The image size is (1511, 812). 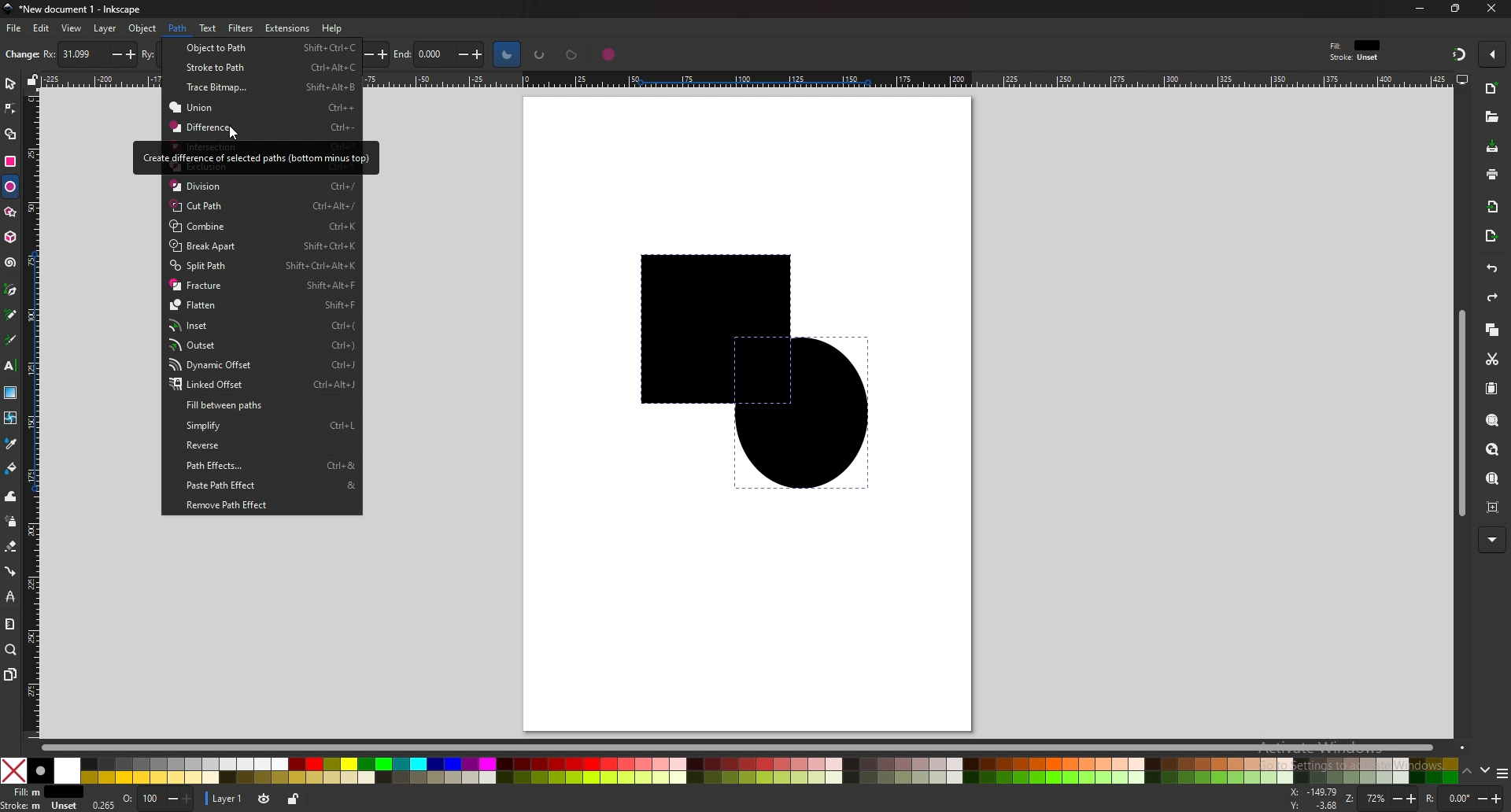 What do you see at coordinates (263, 247) in the screenshot?
I see `Break Apart` at bounding box center [263, 247].